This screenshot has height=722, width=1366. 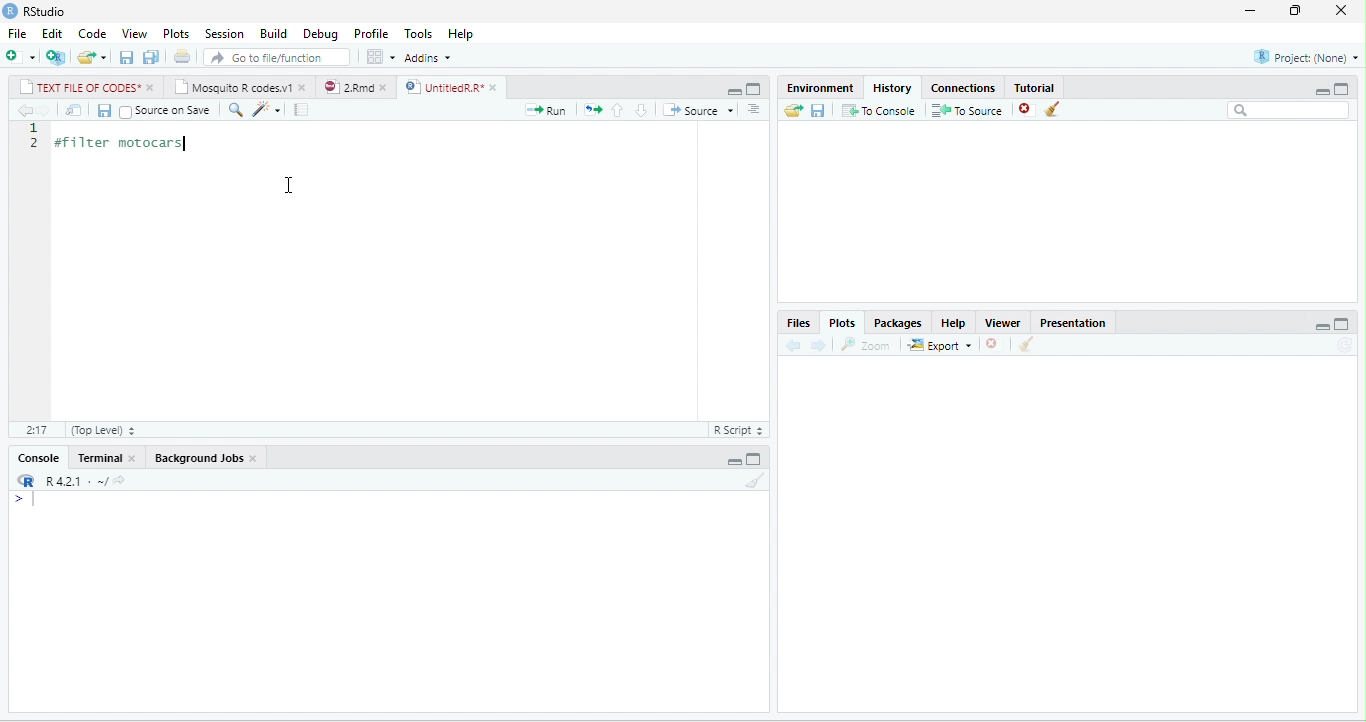 What do you see at coordinates (254, 459) in the screenshot?
I see `close` at bounding box center [254, 459].